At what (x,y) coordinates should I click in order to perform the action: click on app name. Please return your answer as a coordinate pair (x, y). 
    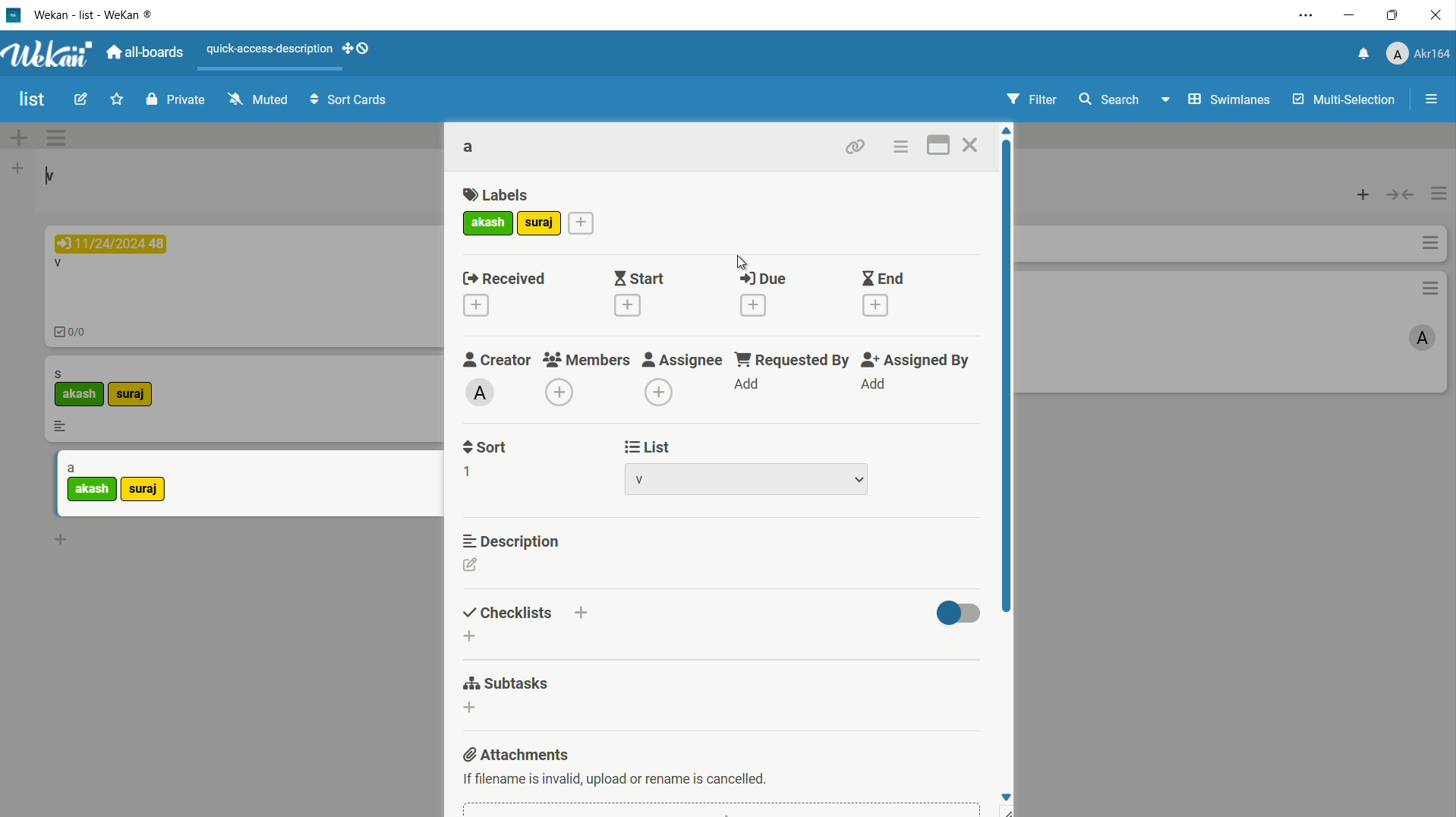
    Looking at the image, I should click on (104, 15).